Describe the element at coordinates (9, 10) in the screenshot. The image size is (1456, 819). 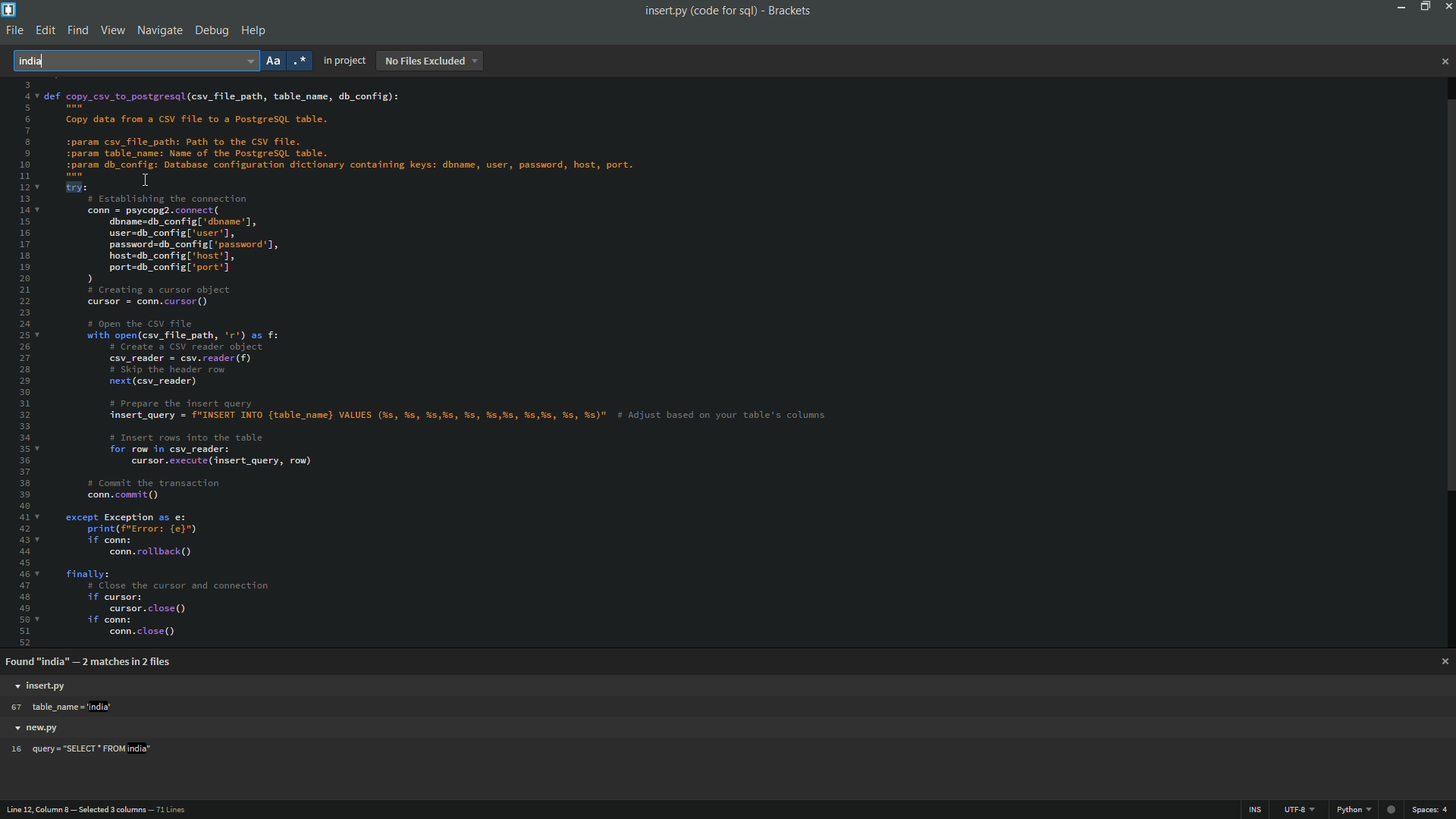
I see `app icon` at that location.